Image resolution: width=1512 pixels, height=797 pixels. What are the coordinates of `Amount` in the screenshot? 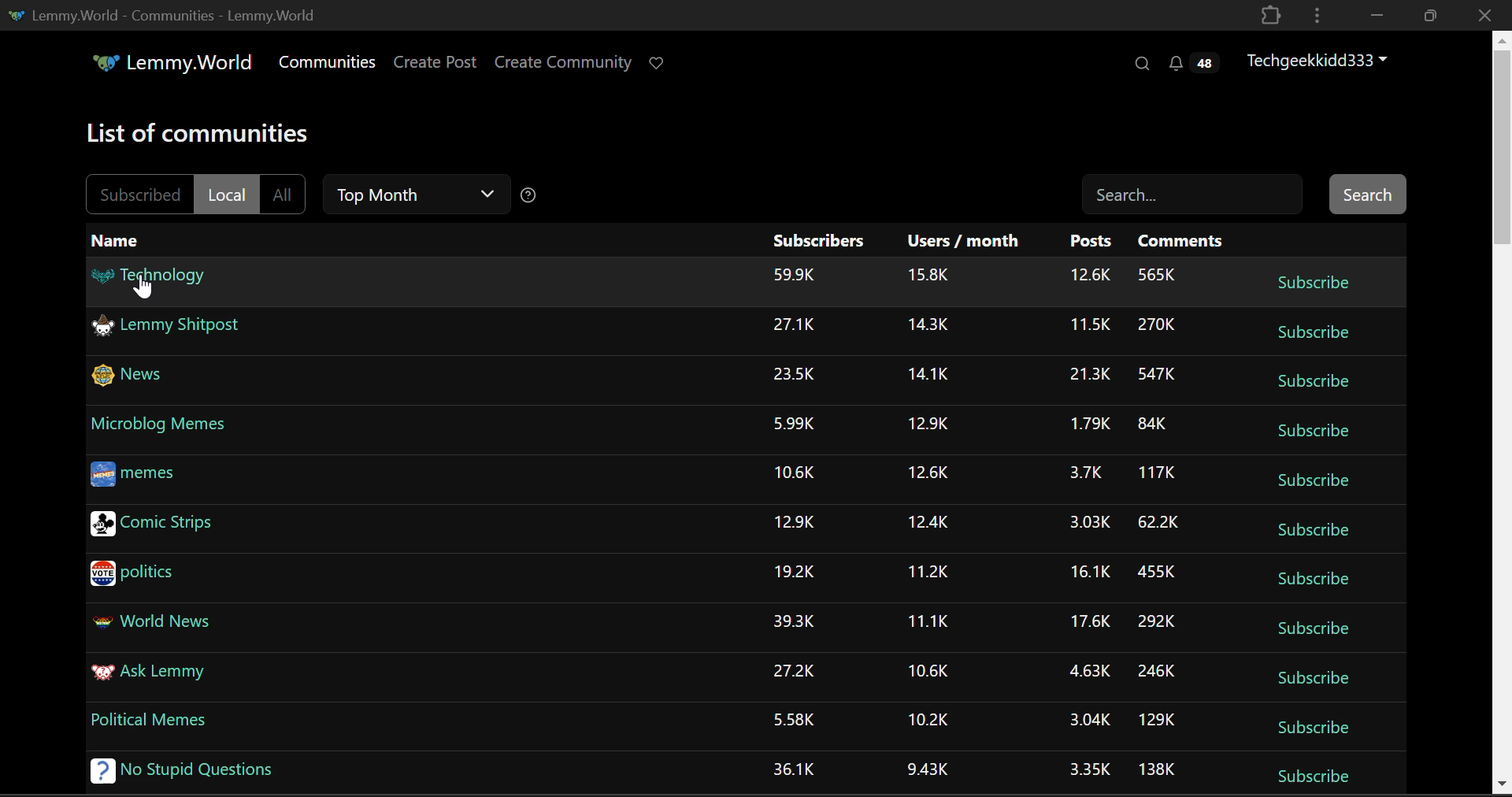 It's located at (1162, 519).